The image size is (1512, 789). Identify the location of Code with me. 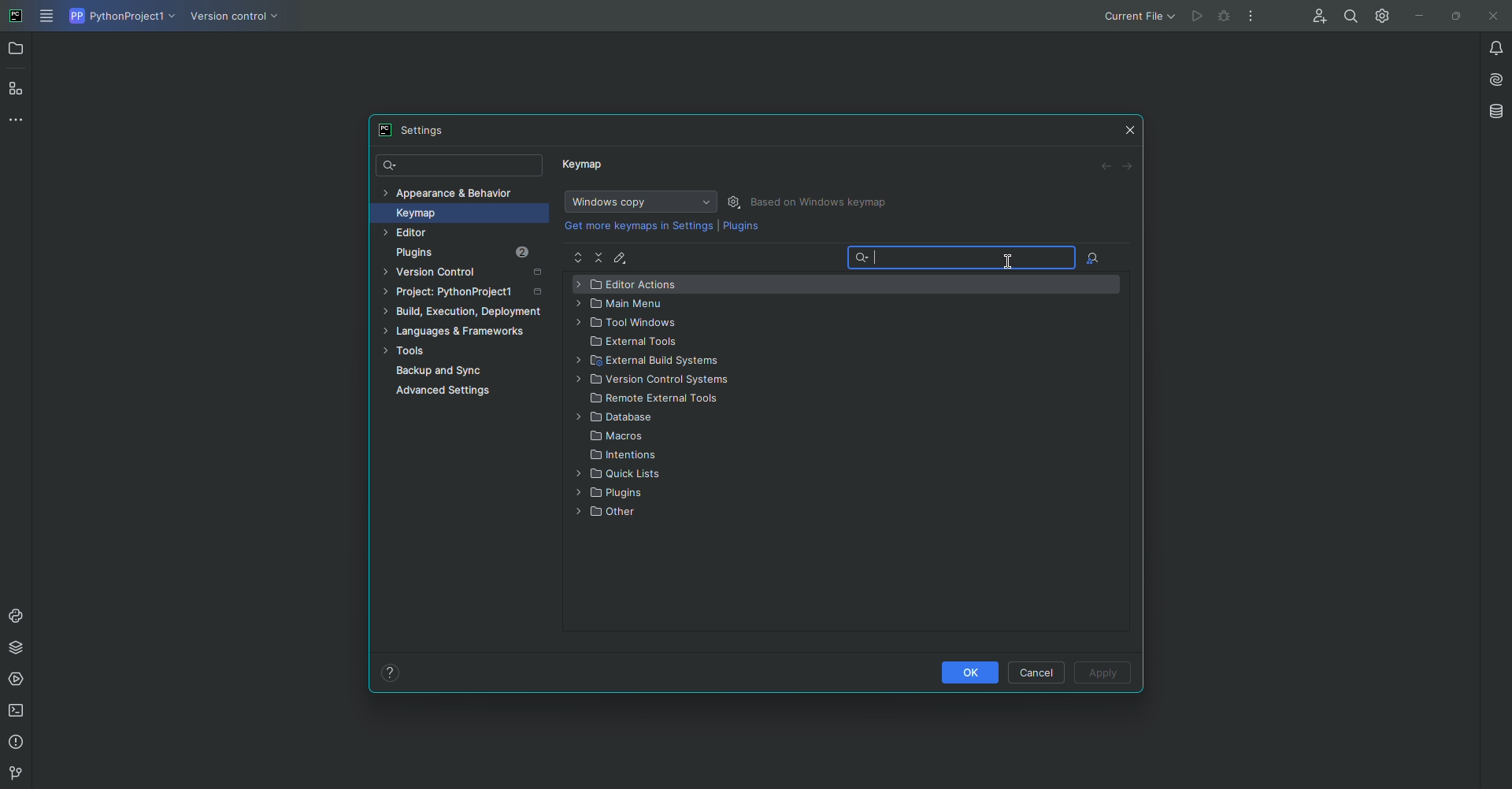
(1316, 17).